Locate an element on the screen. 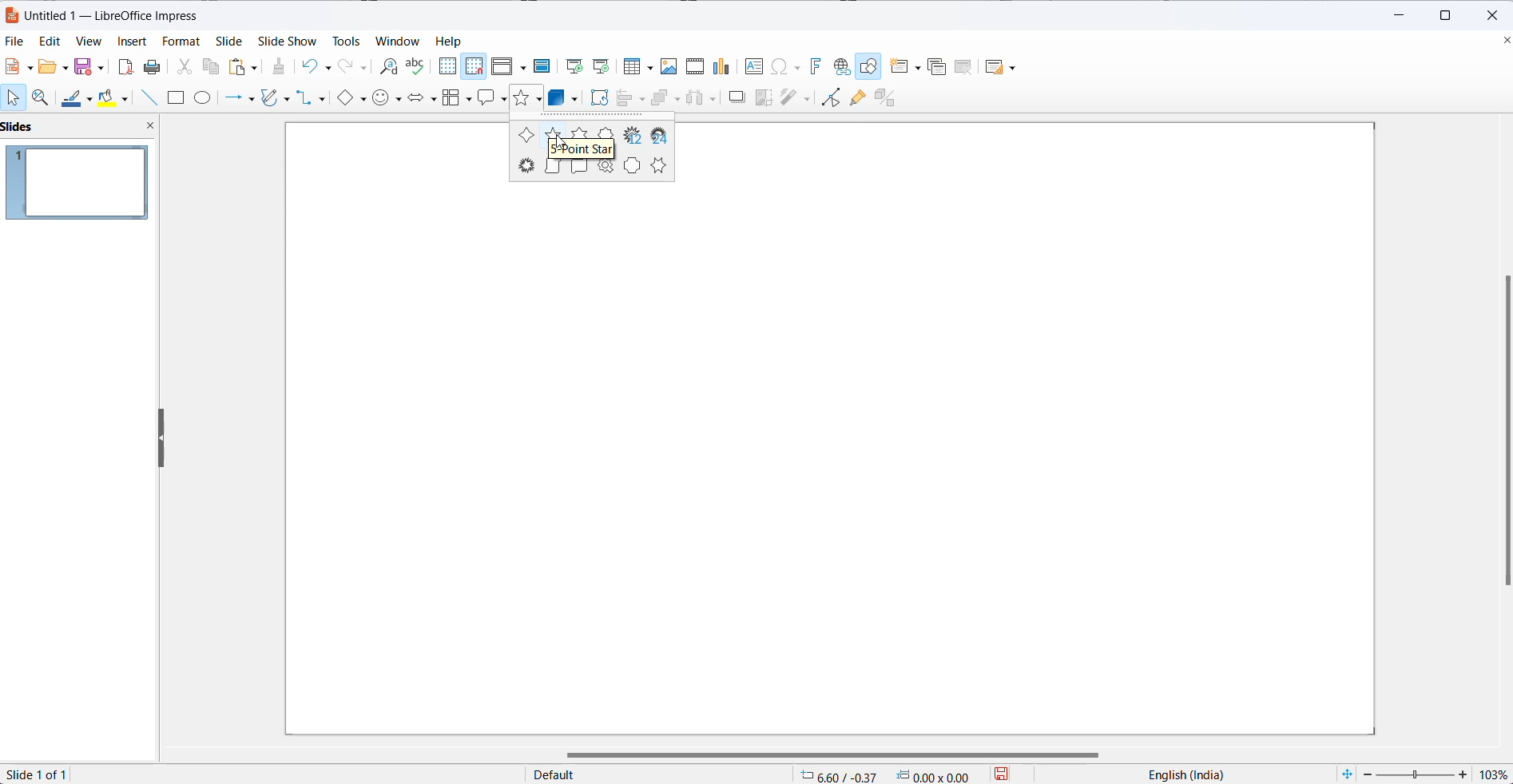  insert chart is located at coordinates (722, 68).